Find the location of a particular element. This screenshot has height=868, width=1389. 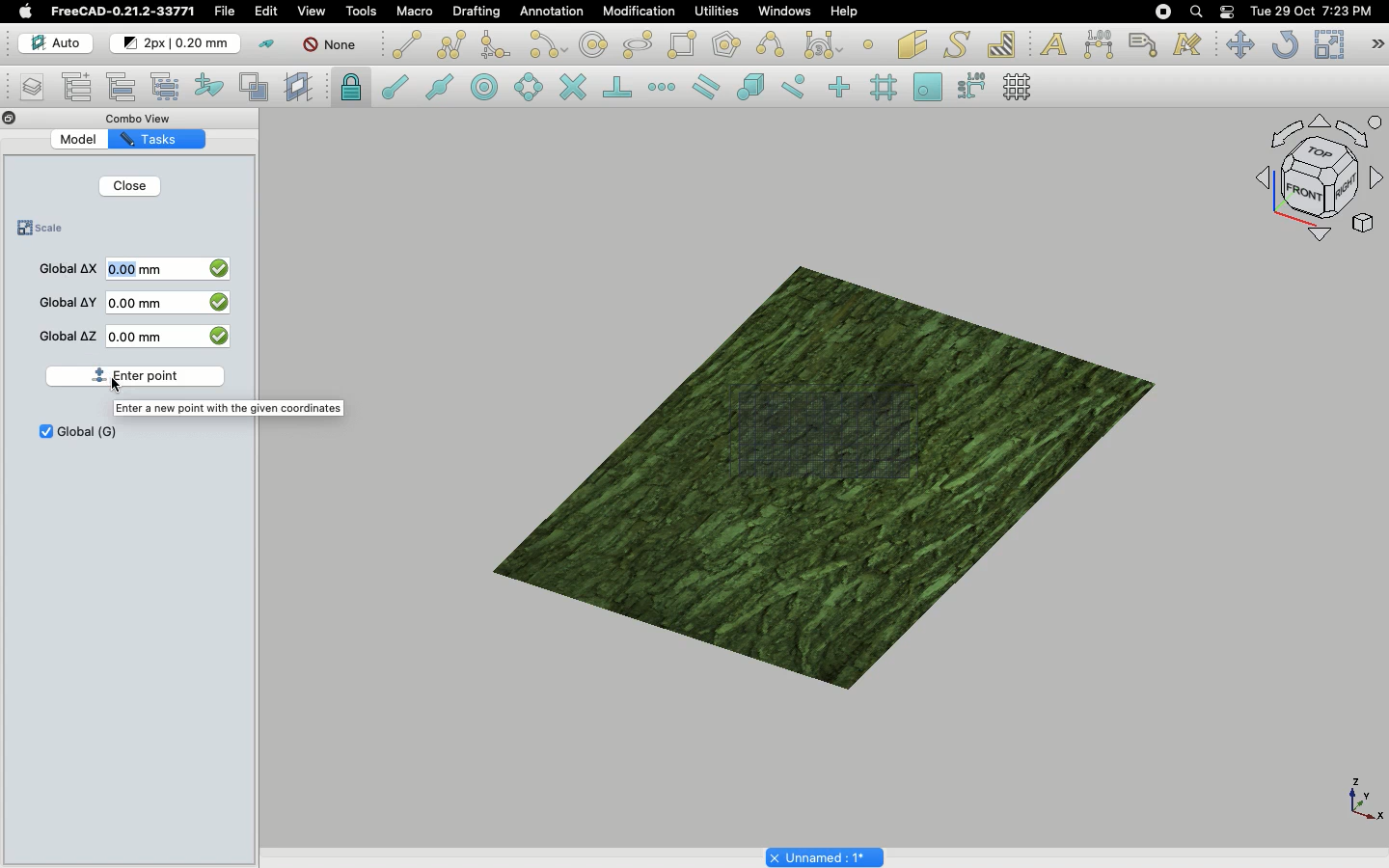

Tasks is located at coordinates (151, 139).